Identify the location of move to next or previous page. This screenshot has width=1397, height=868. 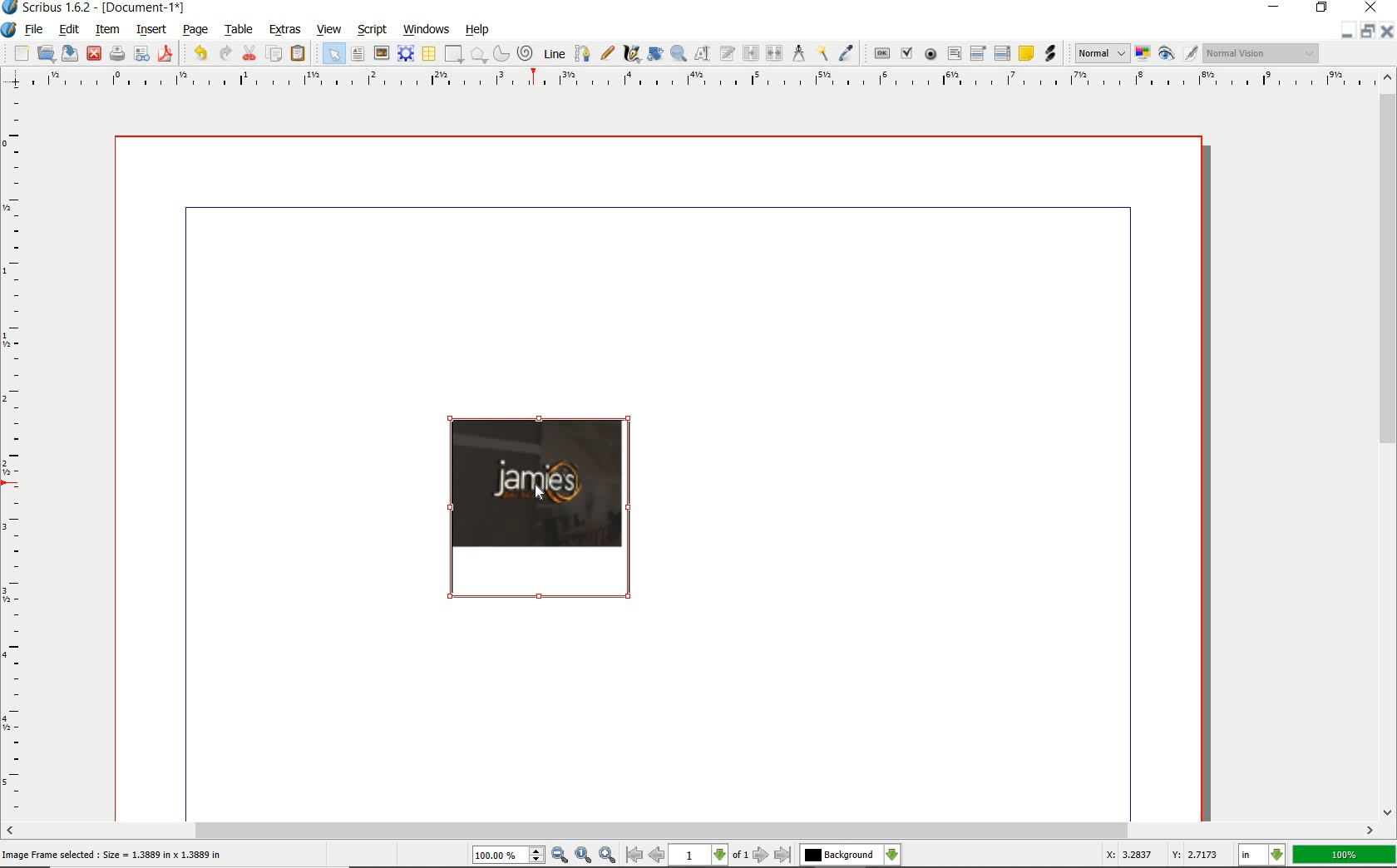
(708, 856).